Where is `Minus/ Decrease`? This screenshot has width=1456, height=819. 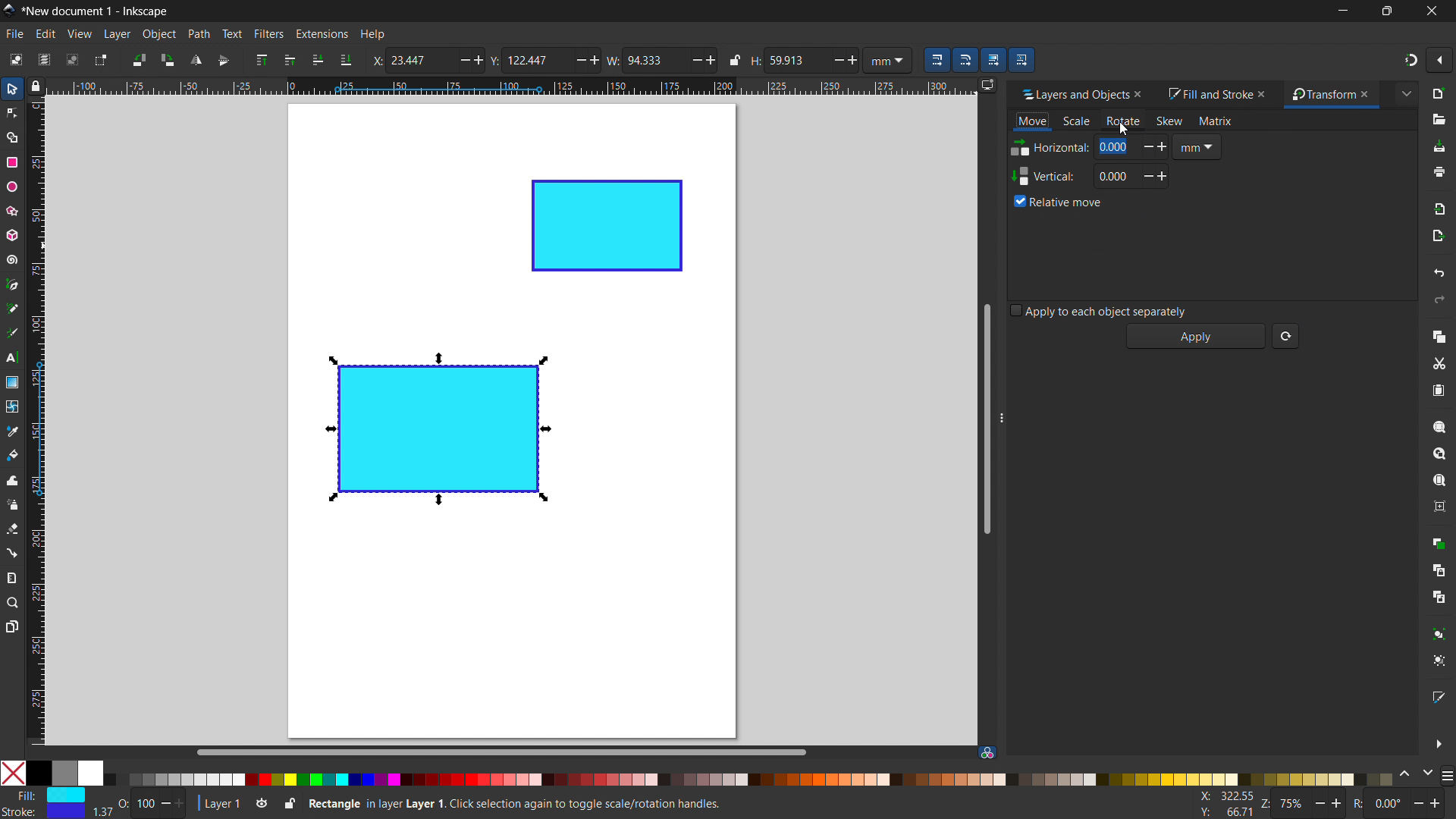
Minus/ Decrease is located at coordinates (578, 59).